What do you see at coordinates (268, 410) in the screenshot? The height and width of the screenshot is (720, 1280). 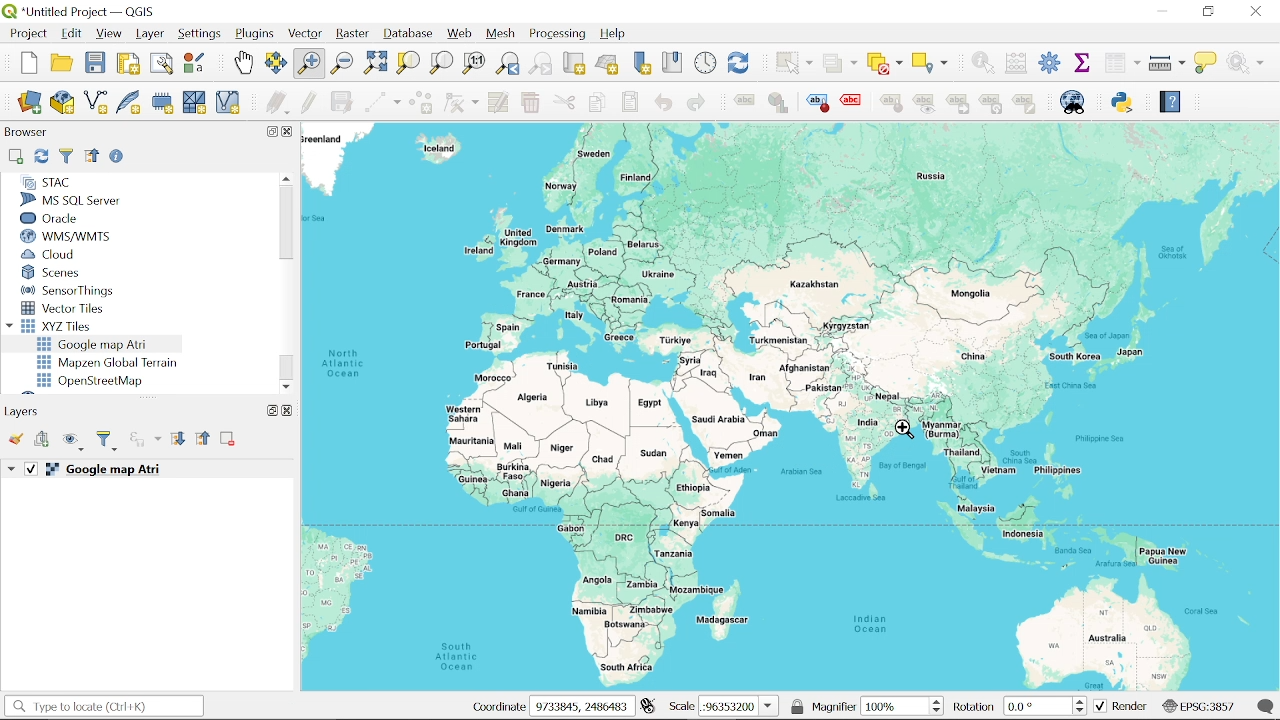 I see `Restore down` at bounding box center [268, 410].